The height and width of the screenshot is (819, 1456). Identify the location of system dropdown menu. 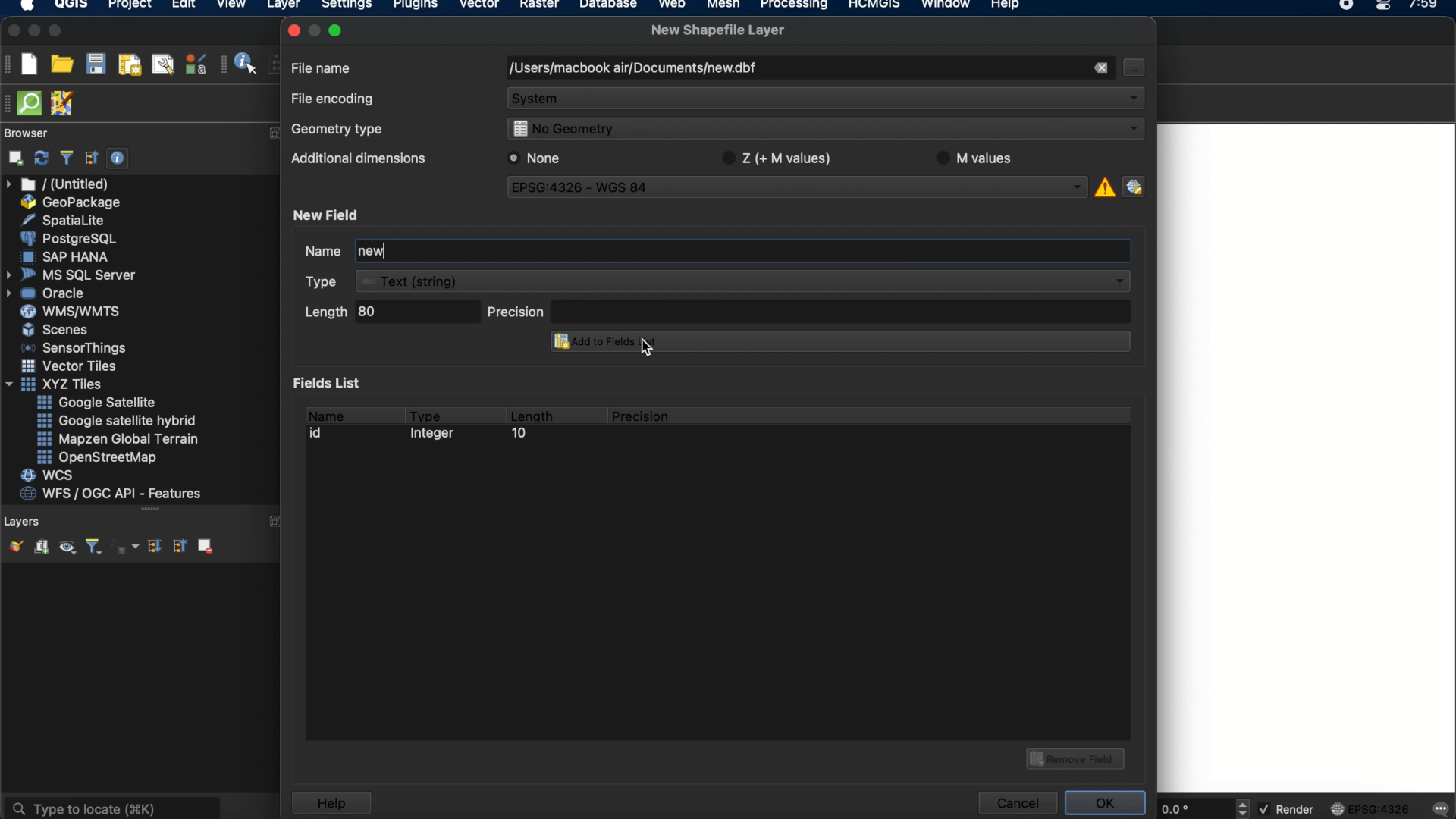
(827, 100).